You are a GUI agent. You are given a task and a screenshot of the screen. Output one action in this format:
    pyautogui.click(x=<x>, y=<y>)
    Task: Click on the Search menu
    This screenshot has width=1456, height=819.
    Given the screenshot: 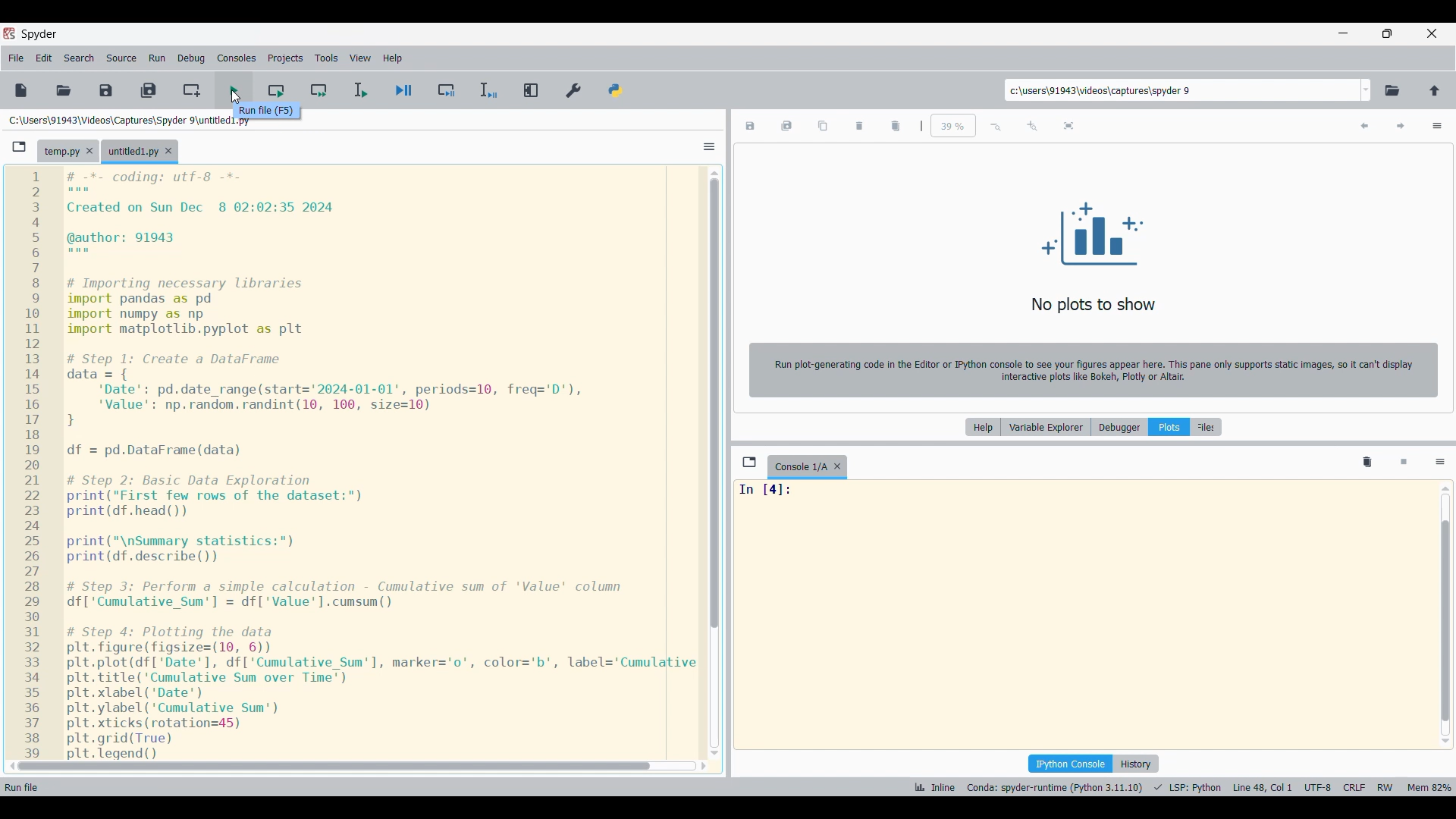 What is the action you would take?
    pyautogui.click(x=80, y=58)
    